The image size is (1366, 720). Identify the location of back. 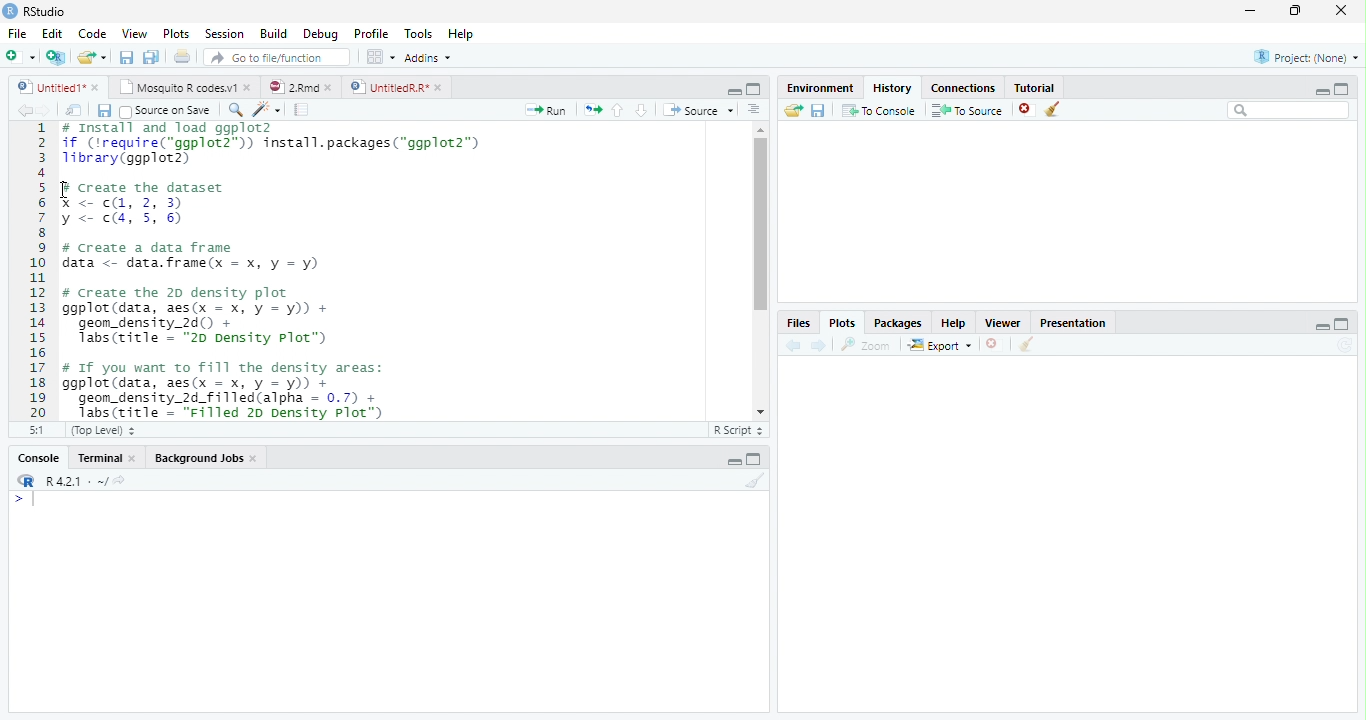
(790, 345).